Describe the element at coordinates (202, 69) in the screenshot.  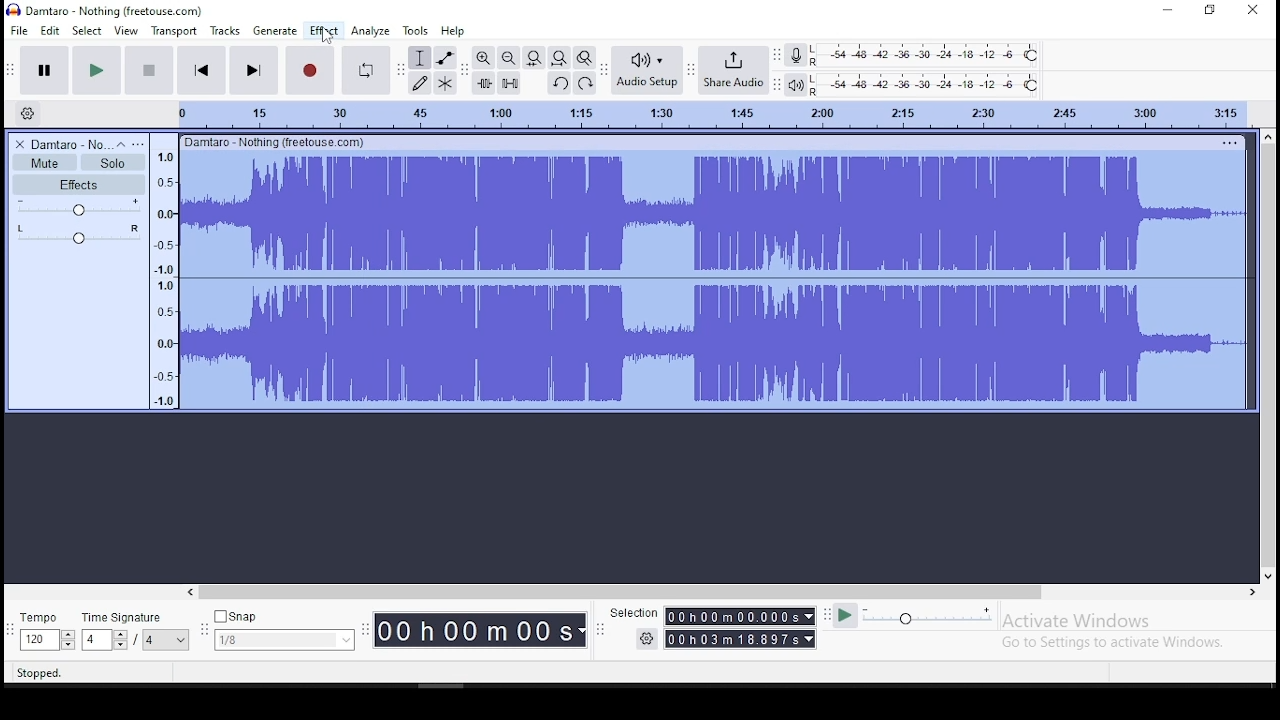
I see `skip to start` at that location.